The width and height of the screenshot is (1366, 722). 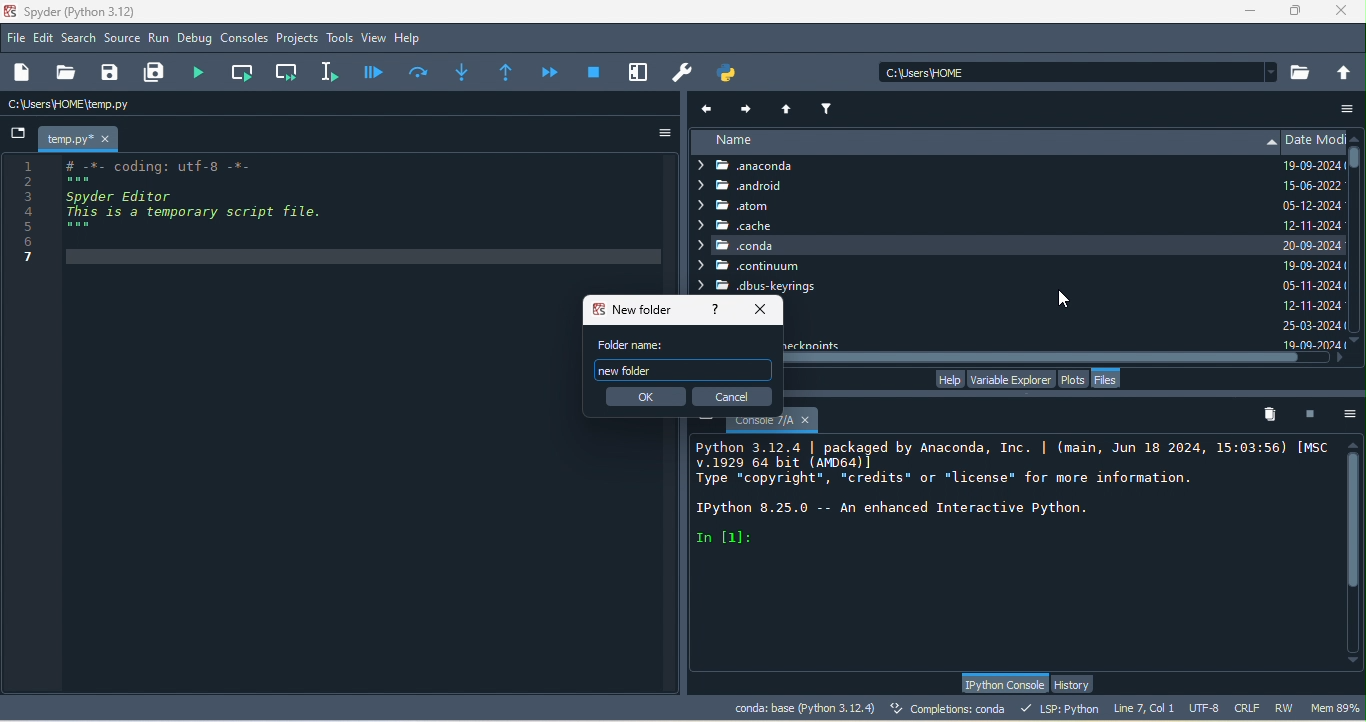 I want to click on python console, so click(x=1003, y=684).